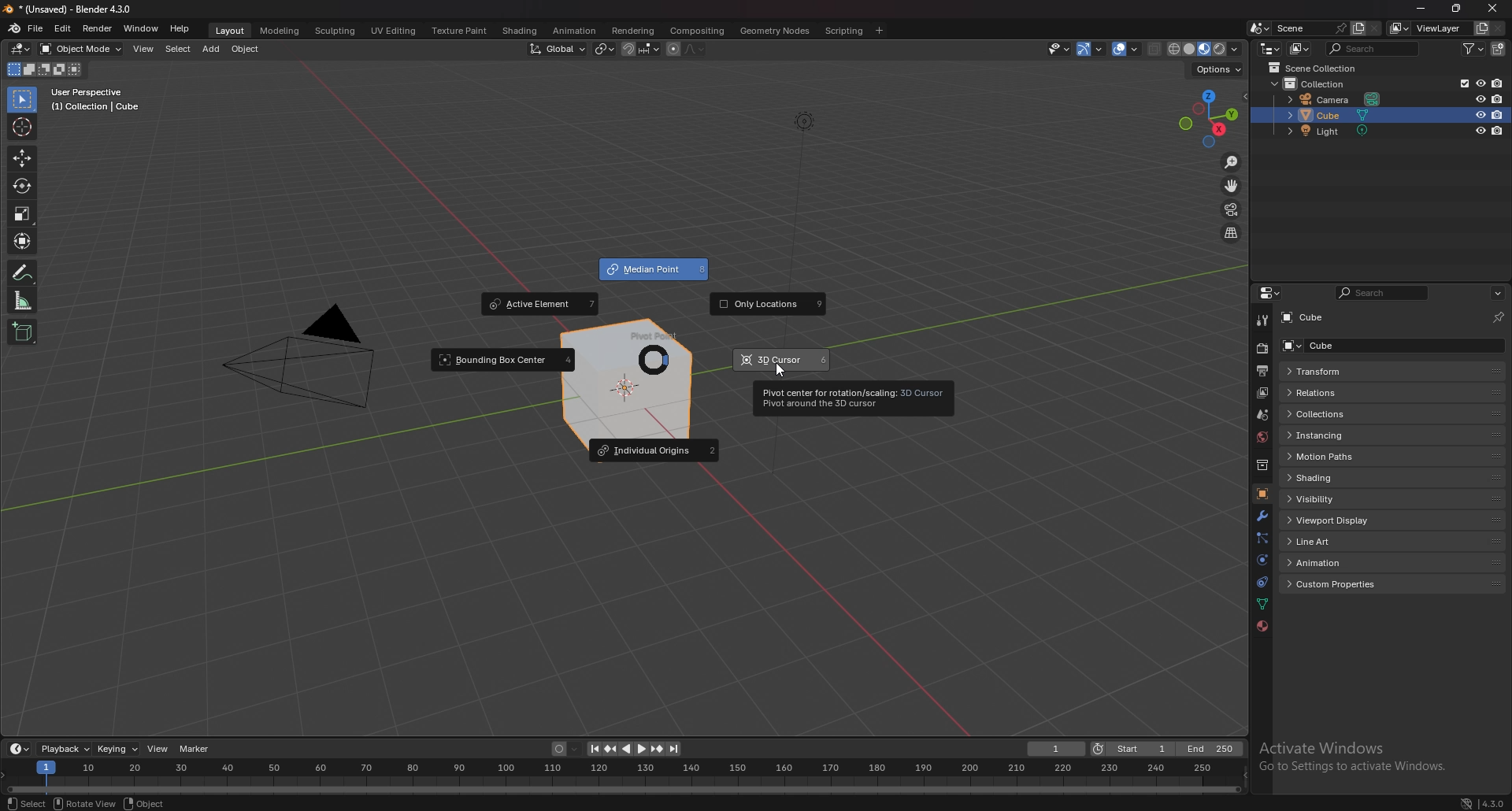  I want to click on jump to endpoint, so click(593, 749).